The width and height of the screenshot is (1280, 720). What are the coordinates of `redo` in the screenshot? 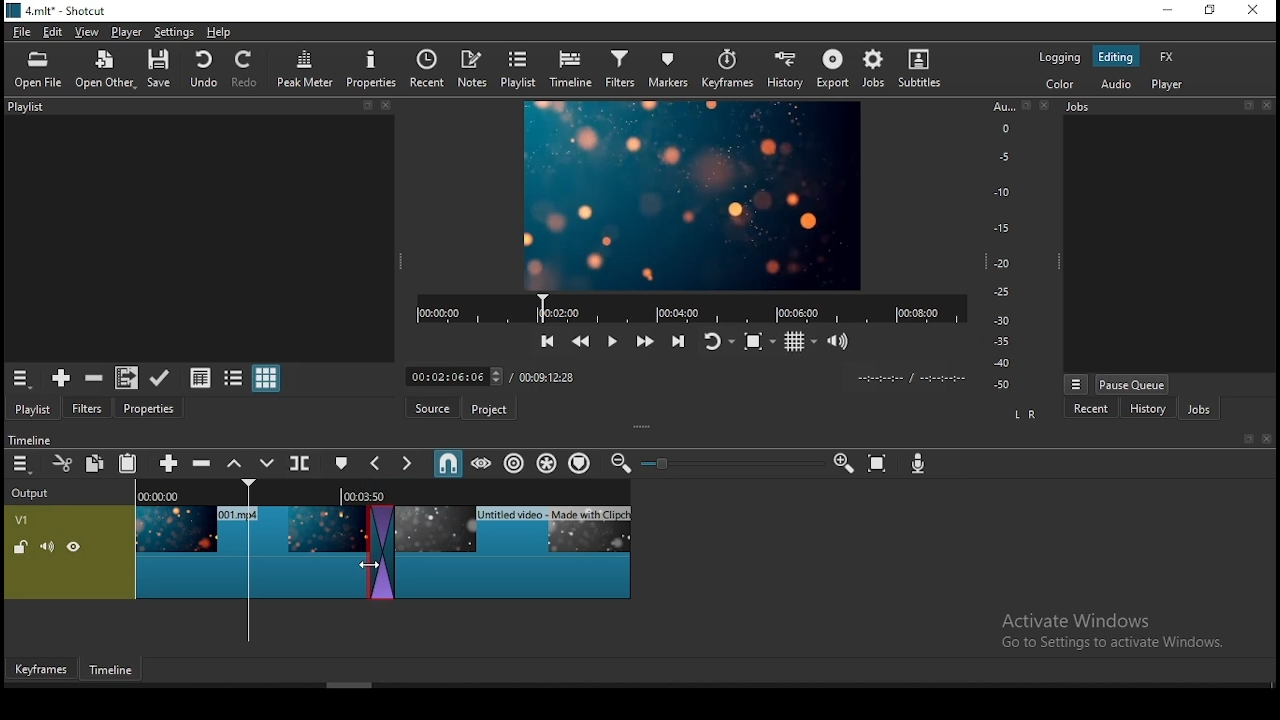 It's located at (247, 69).